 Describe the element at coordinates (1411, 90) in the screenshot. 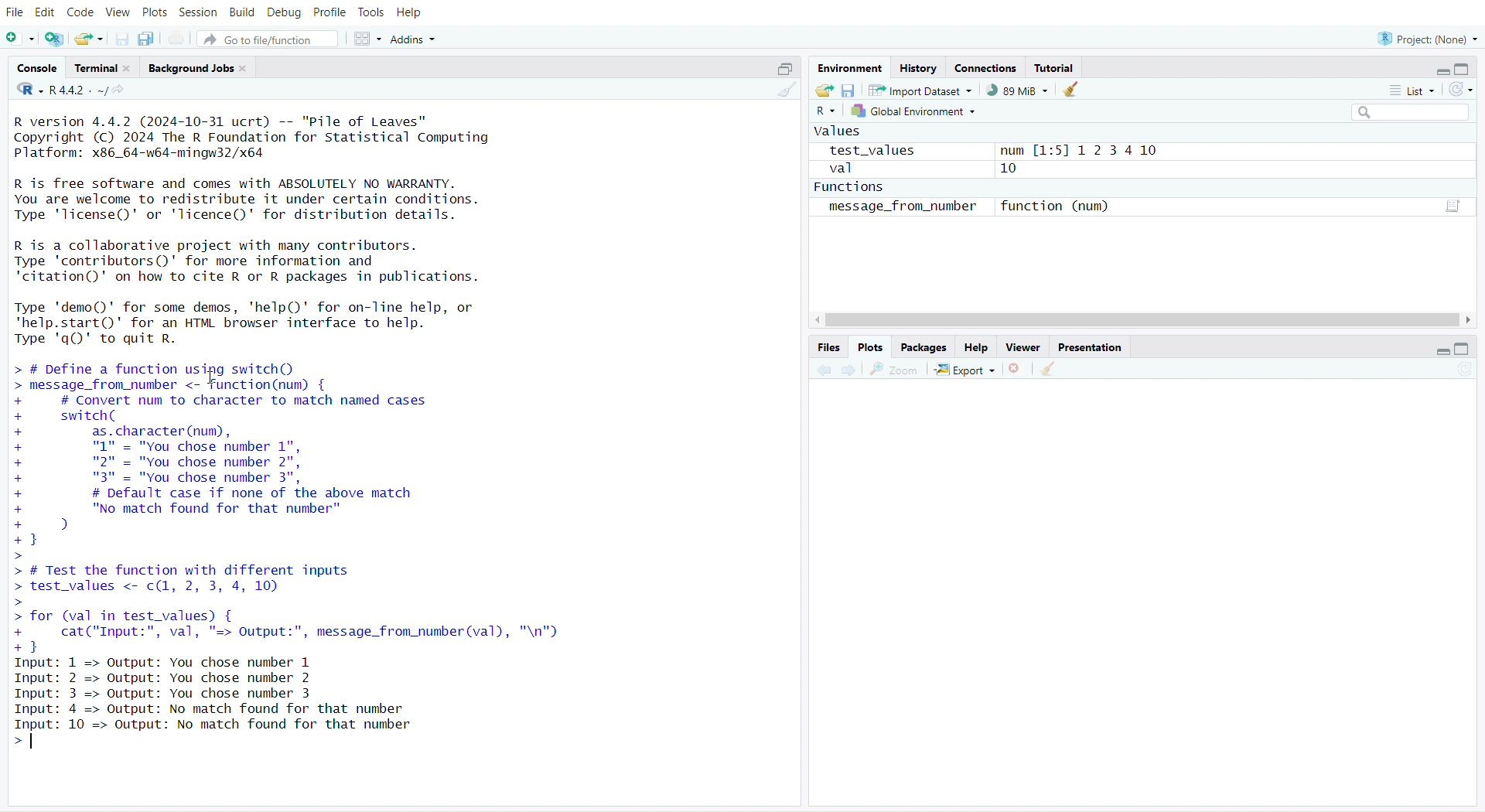

I see `List` at that location.